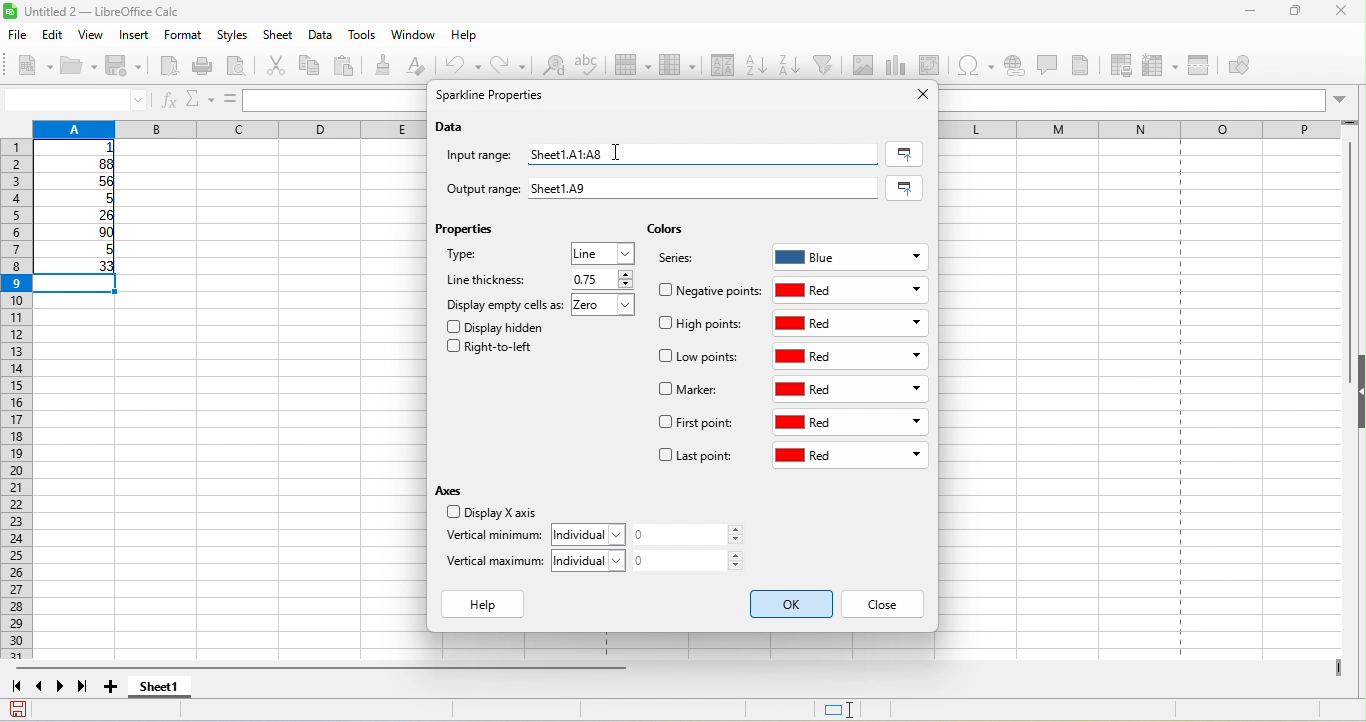  What do you see at coordinates (1150, 102) in the screenshot?
I see `formula bar` at bounding box center [1150, 102].